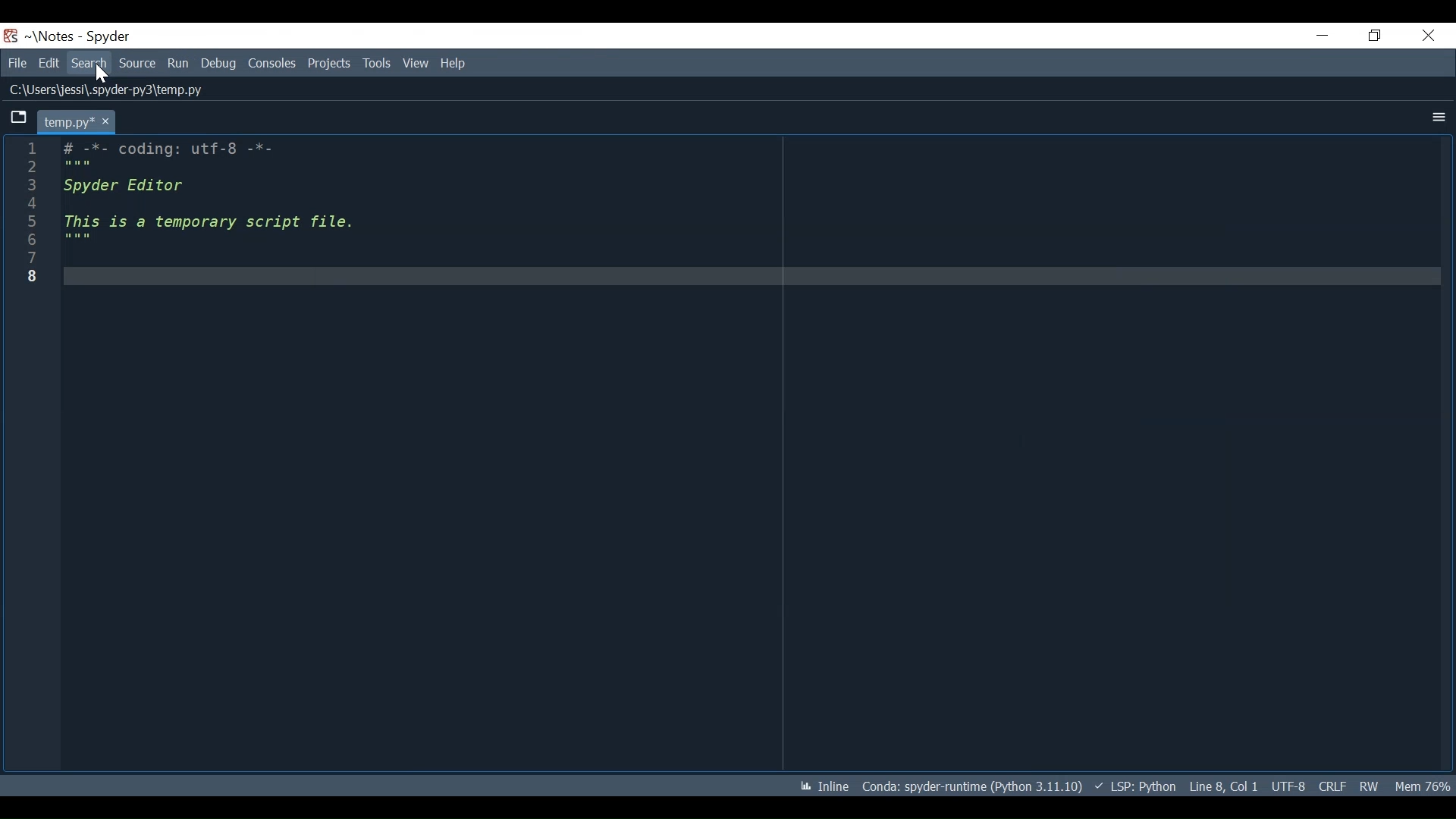 This screenshot has height=819, width=1456. What do you see at coordinates (93, 75) in the screenshot?
I see `Cursor` at bounding box center [93, 75].